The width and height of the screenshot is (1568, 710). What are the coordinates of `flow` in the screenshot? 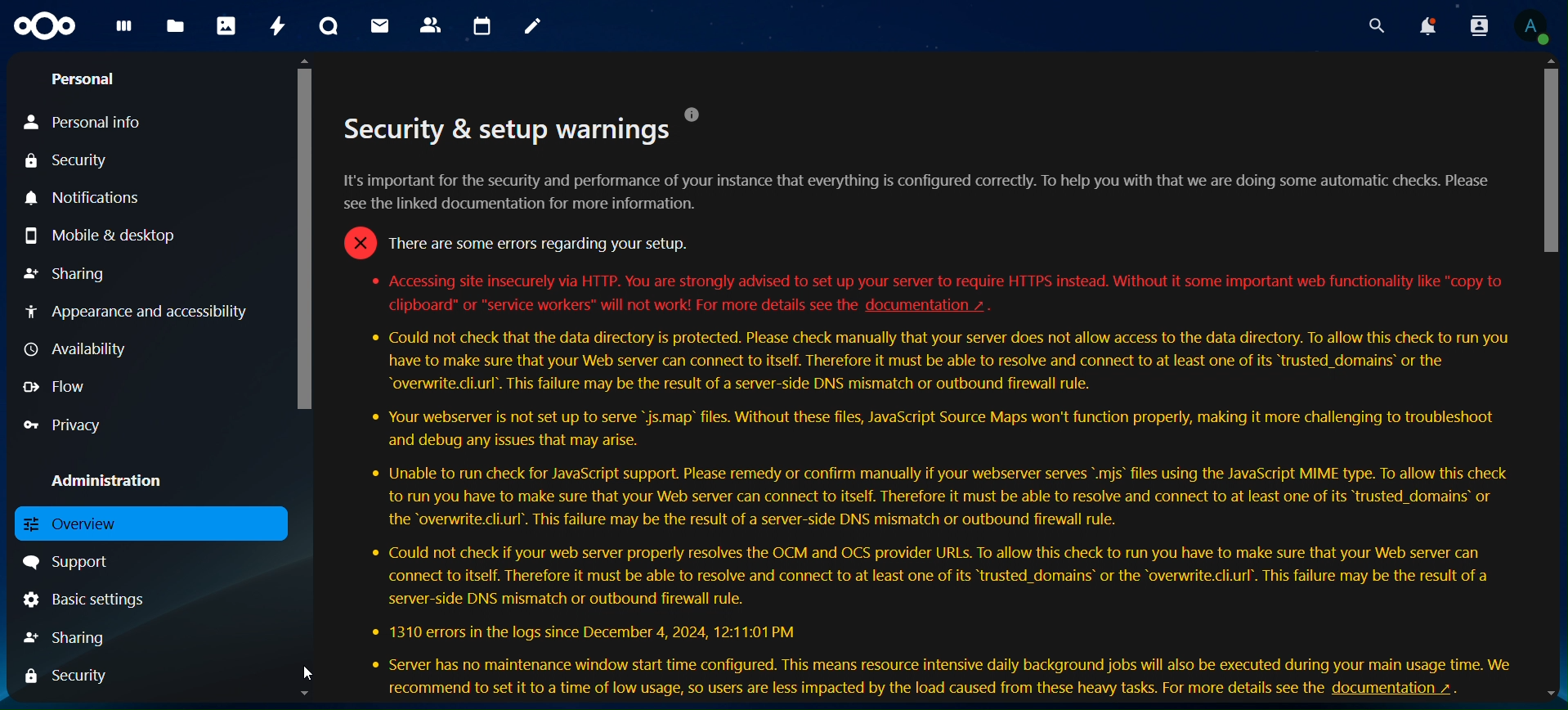 It's located at (58, 388).